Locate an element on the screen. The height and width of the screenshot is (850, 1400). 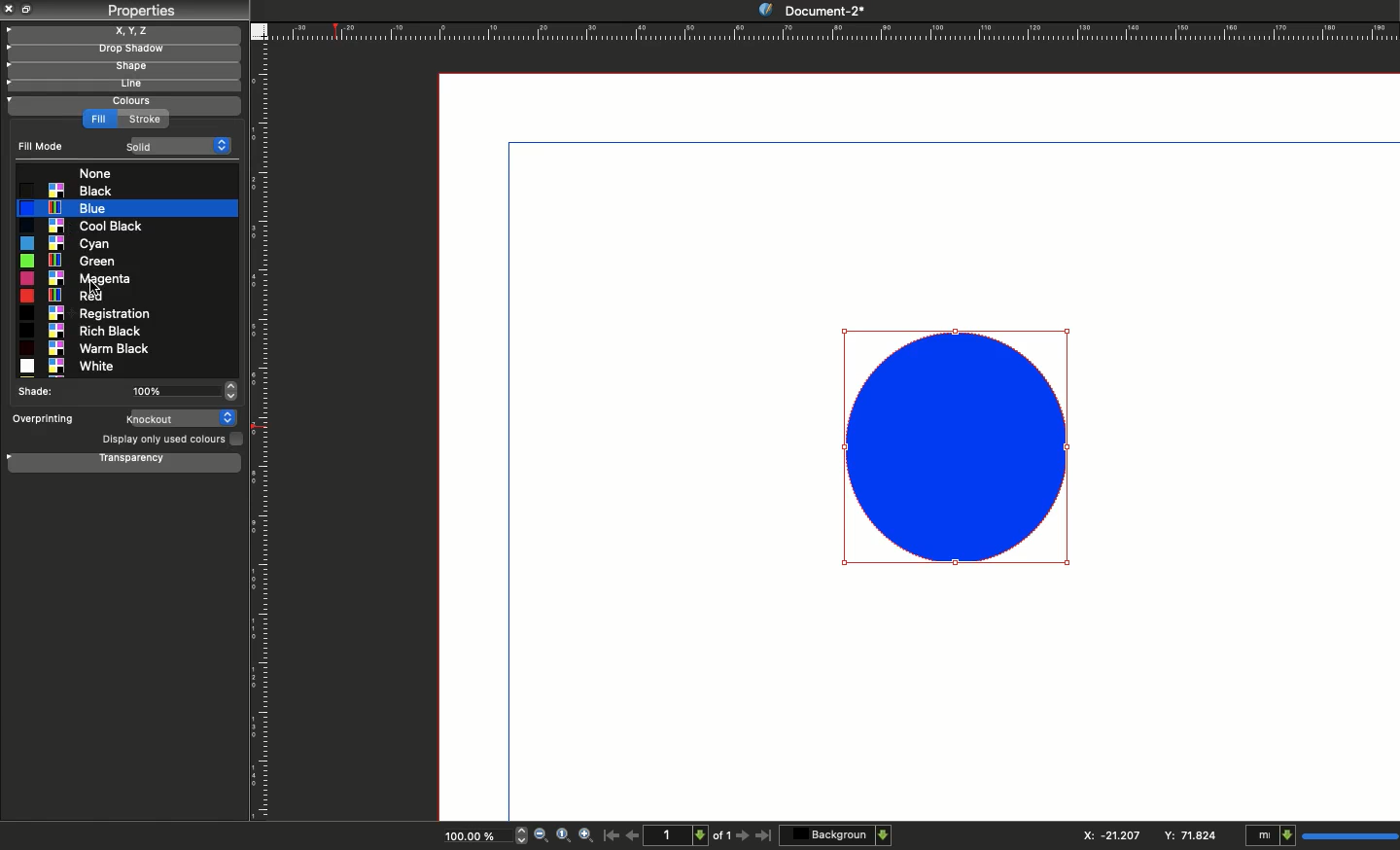
Shade is located at coordinates (42, 390).